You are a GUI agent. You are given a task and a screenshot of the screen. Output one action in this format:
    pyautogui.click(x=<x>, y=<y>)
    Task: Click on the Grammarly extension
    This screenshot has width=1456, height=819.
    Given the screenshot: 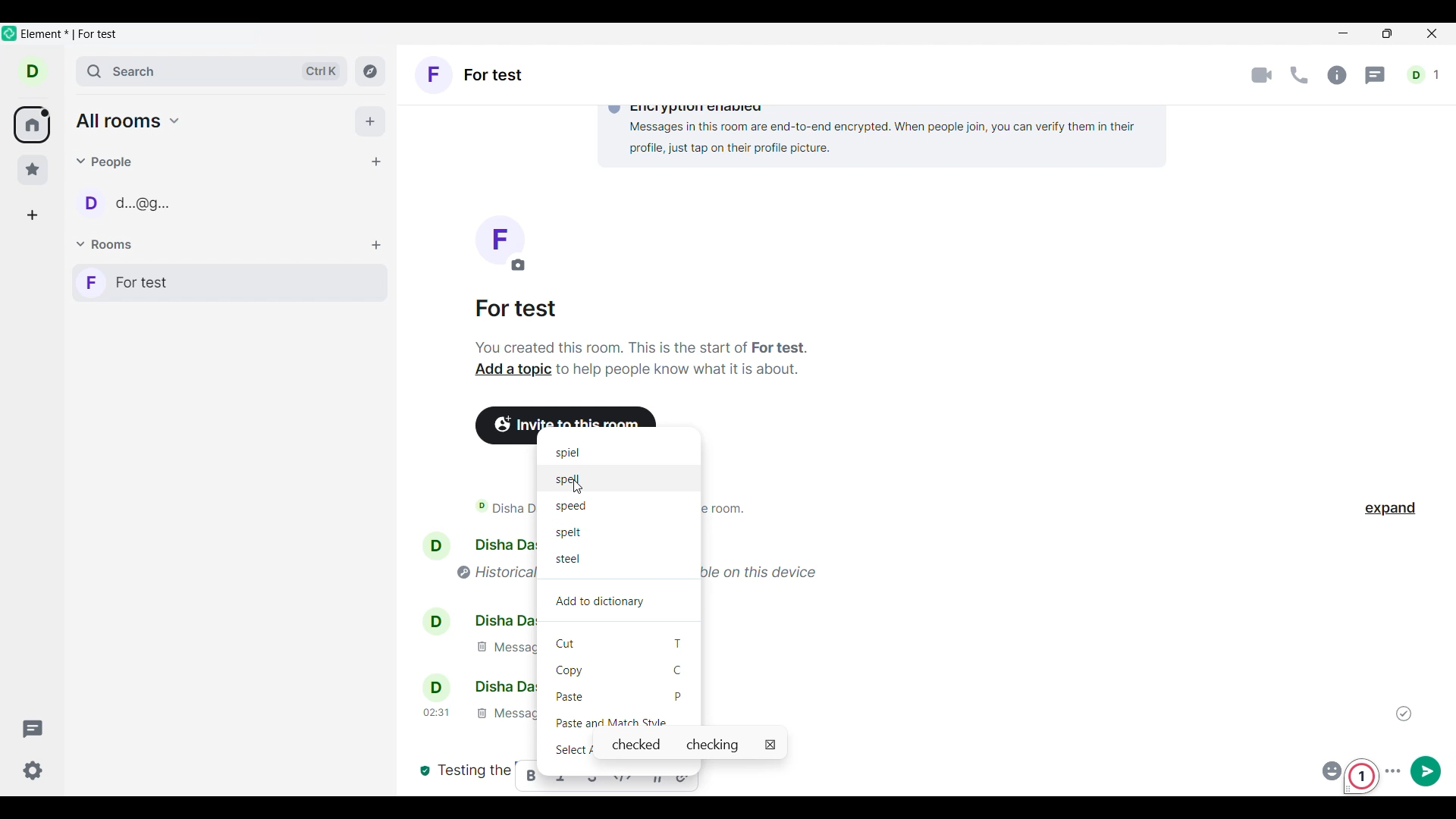 What is the action you would take?
    pyautogui.click(x=1364, y=777)
    